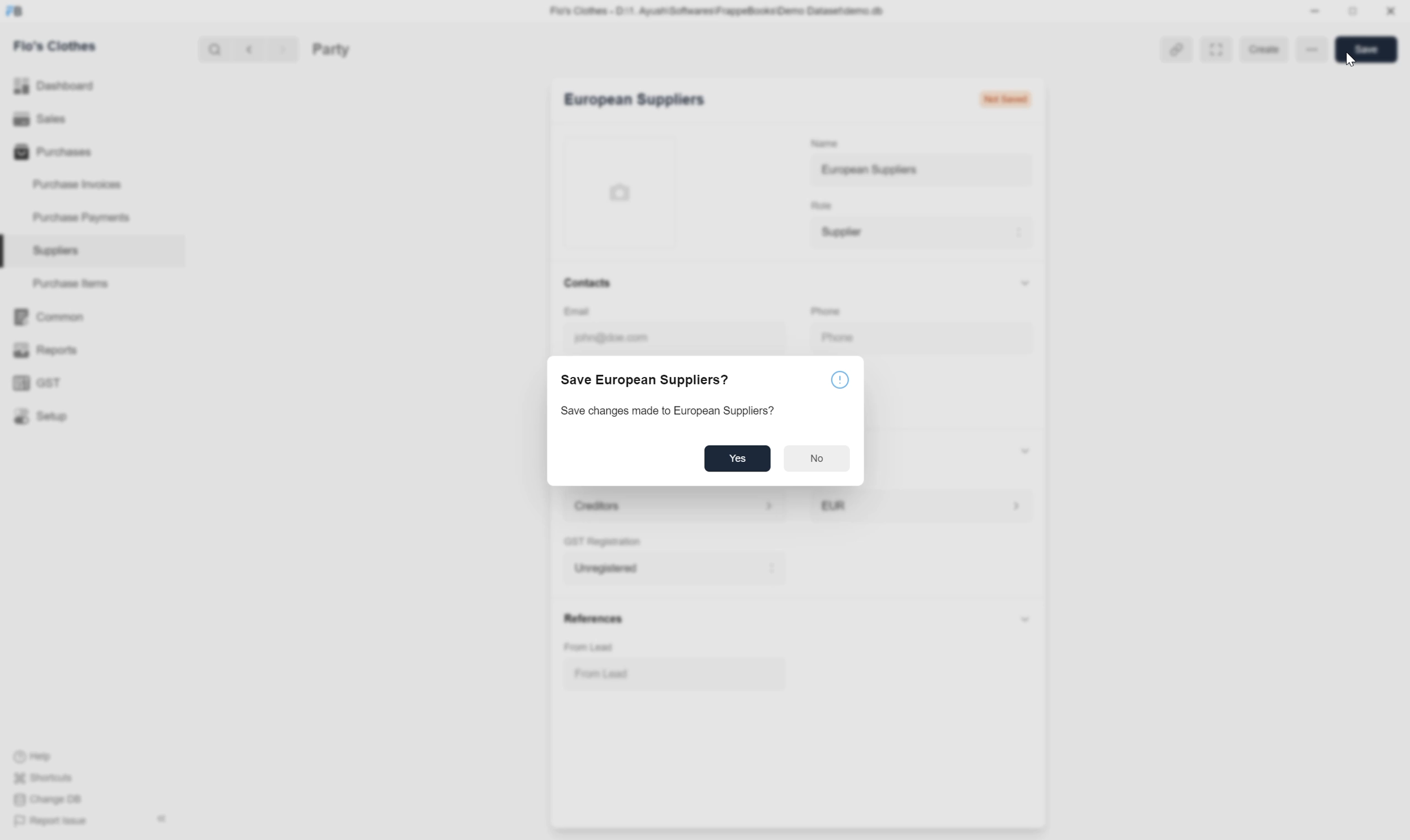  What do you see at coordinates (818, 140) in the screenshot?
I see `Name` at bounding box center [818, 140].